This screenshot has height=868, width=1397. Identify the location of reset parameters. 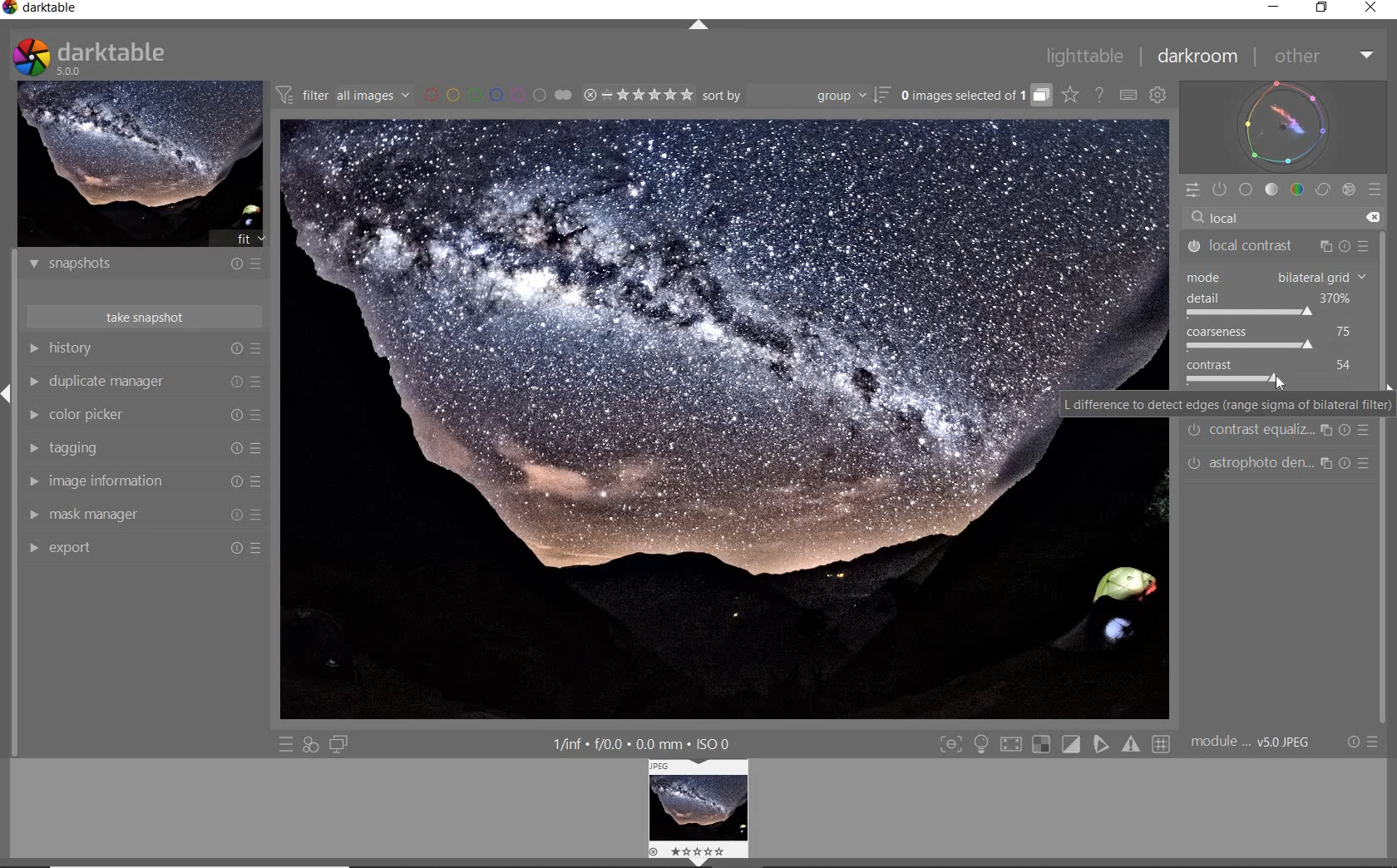
(1349, 241).